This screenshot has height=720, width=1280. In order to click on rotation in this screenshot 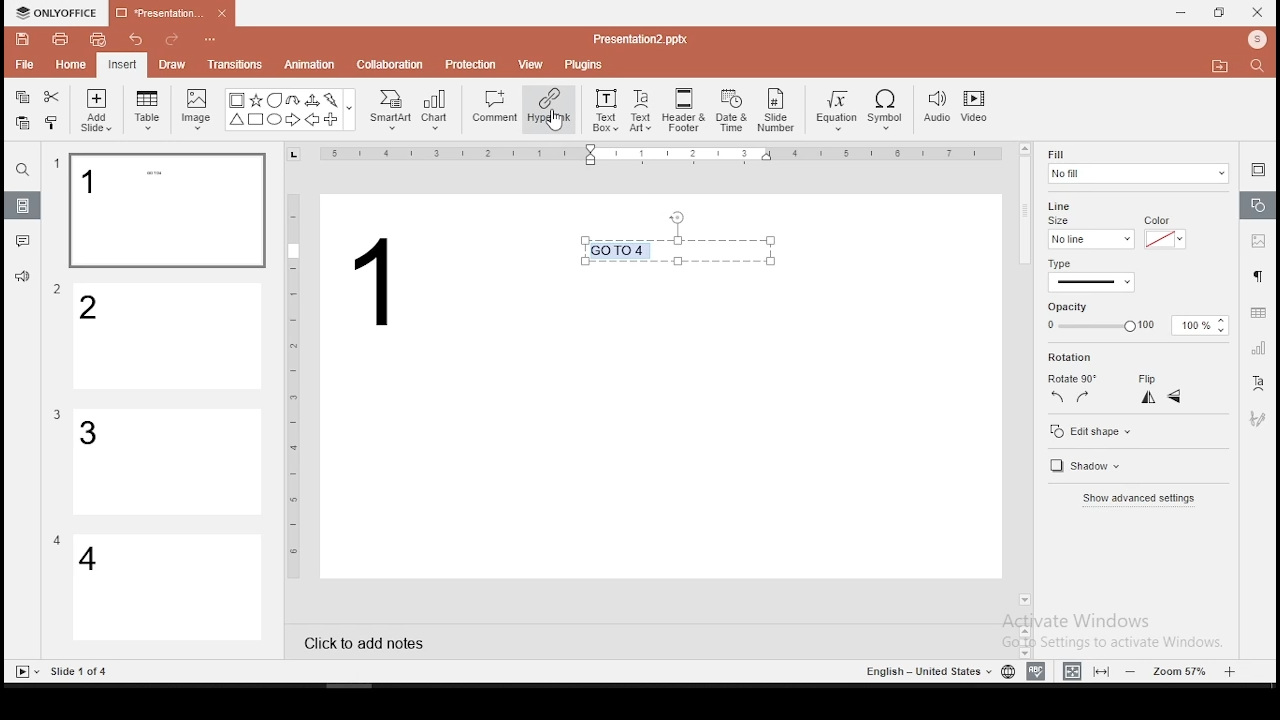, I will do `click(1103, 358)`.